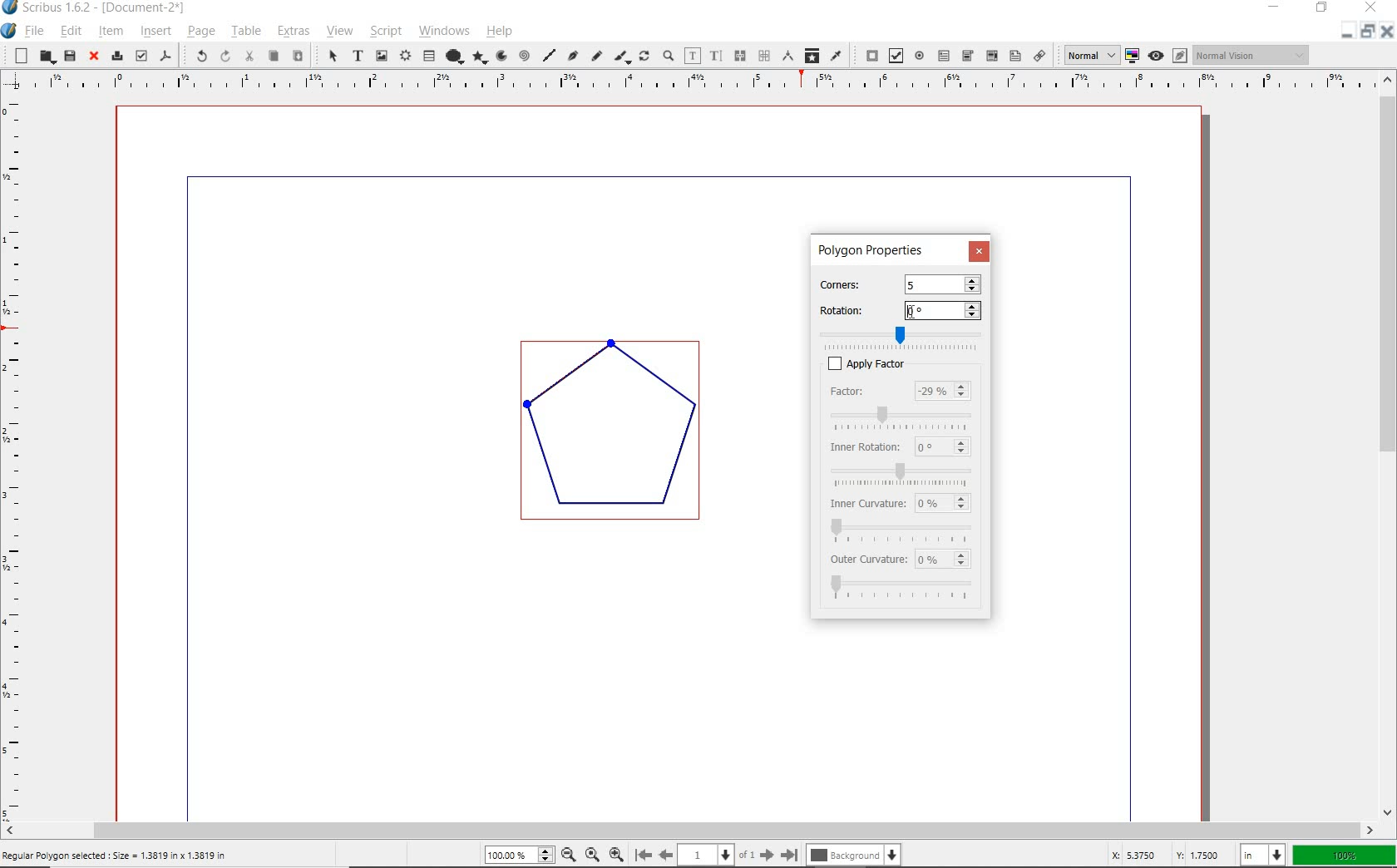 This screenshot has height=868, width=1397. I want to click on redo, so click(225, 57).